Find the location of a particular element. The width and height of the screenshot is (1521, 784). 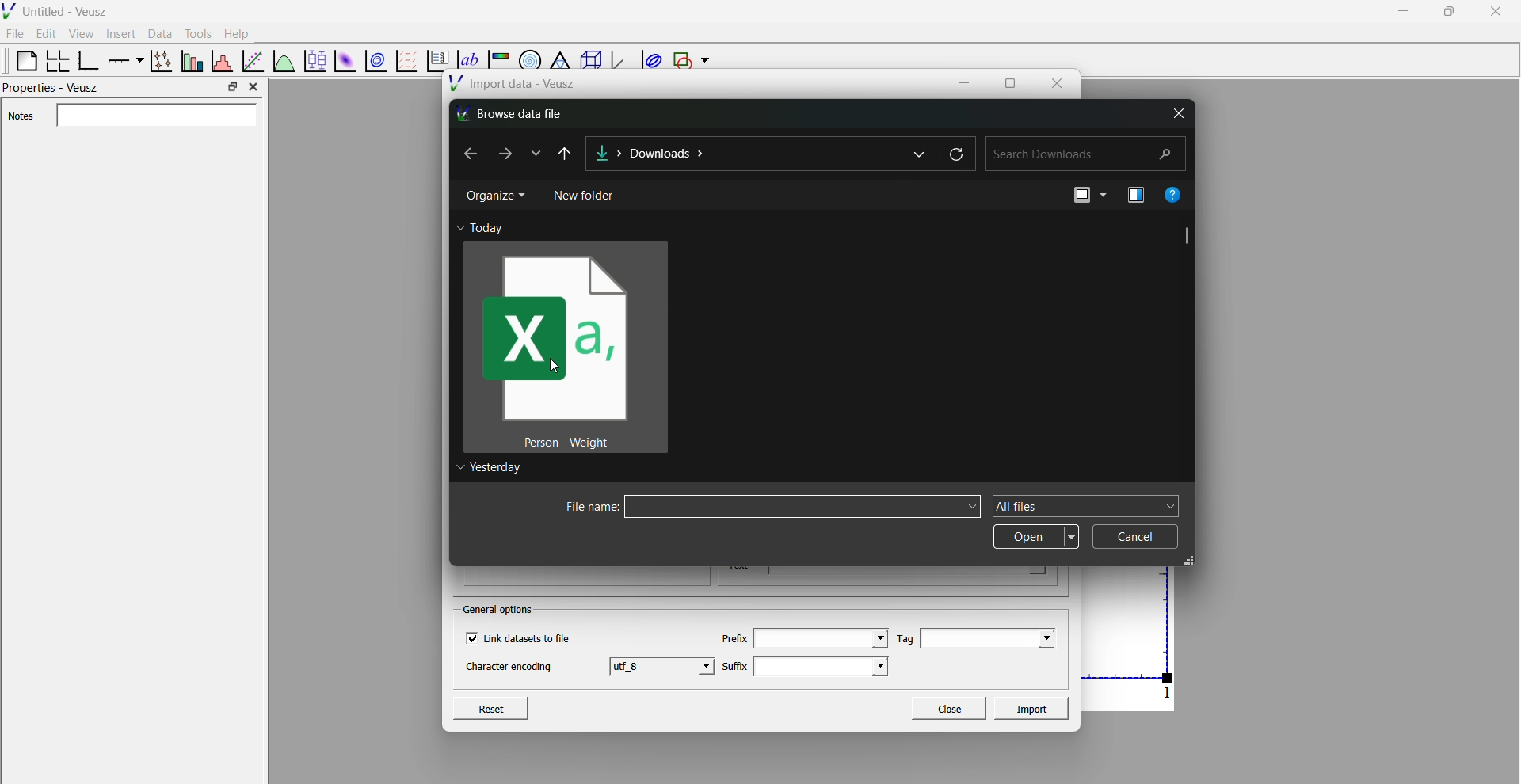

help is located at coordinates (237, 32).